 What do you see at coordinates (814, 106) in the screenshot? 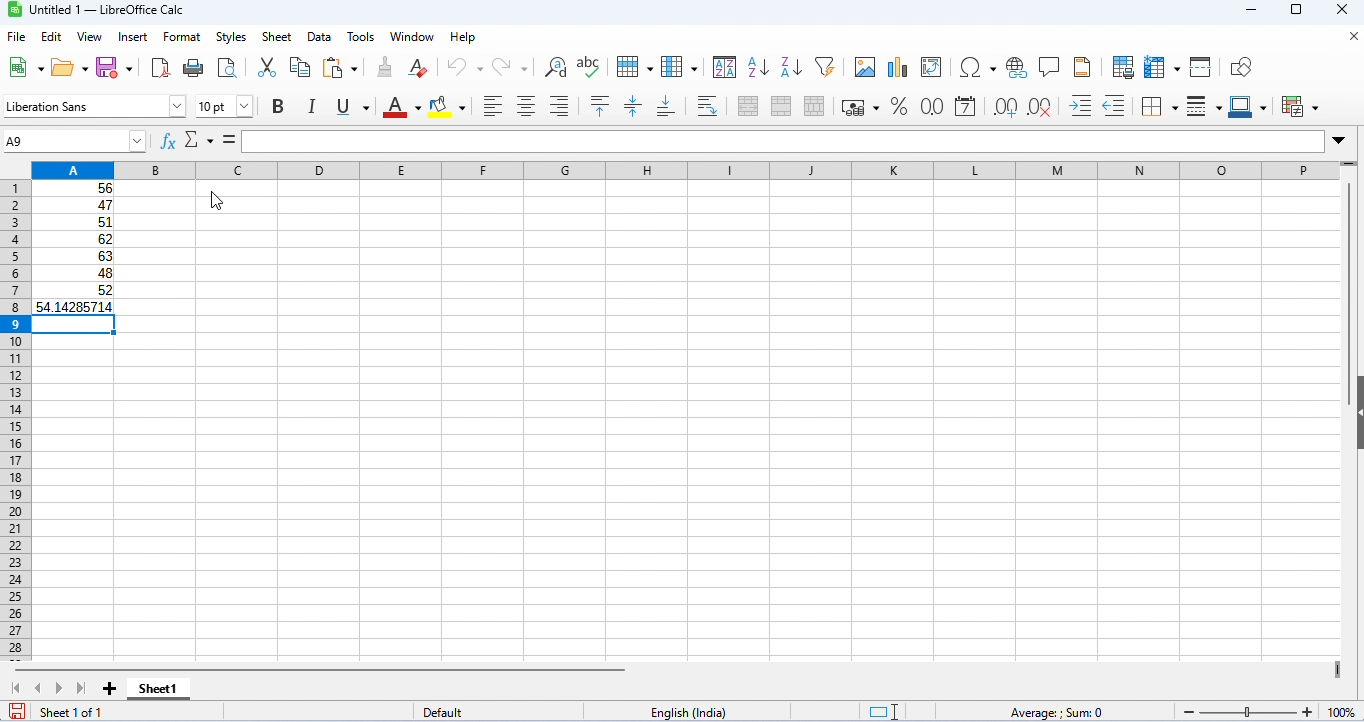
I see `unmerge cells` at bounding box center [814, 106].